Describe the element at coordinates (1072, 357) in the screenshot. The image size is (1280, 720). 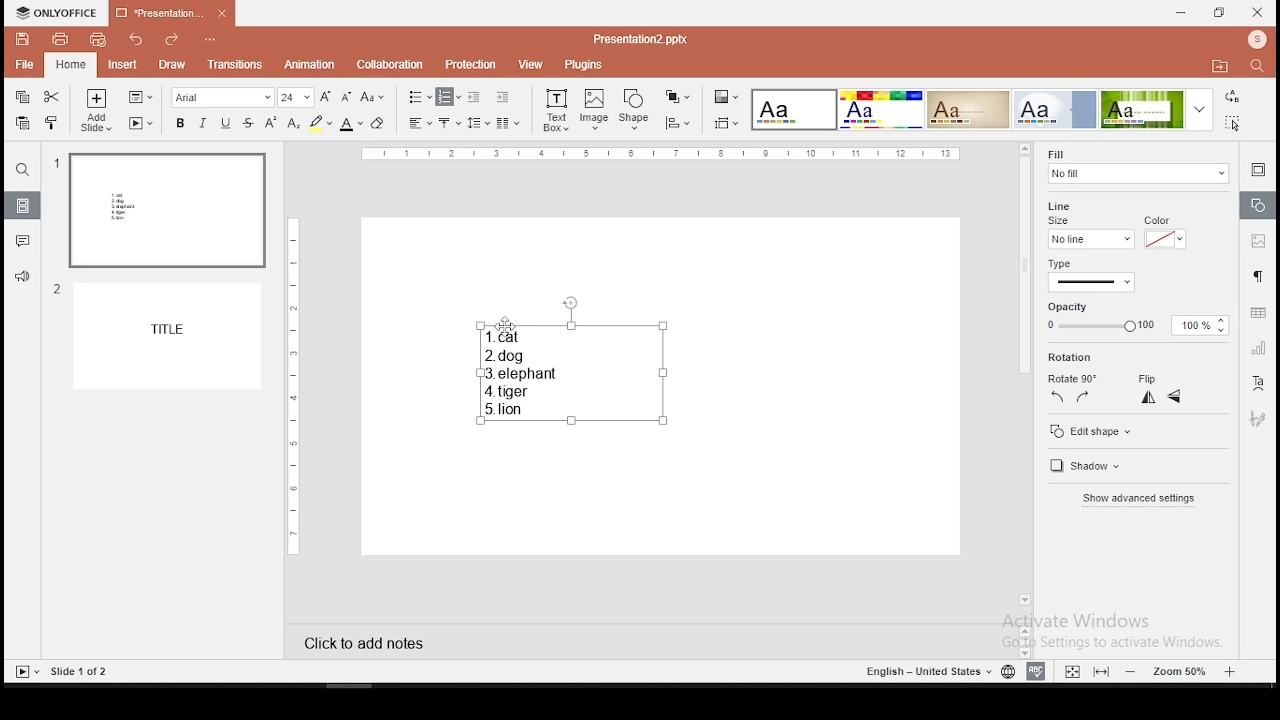
I see `rotation` at that location.